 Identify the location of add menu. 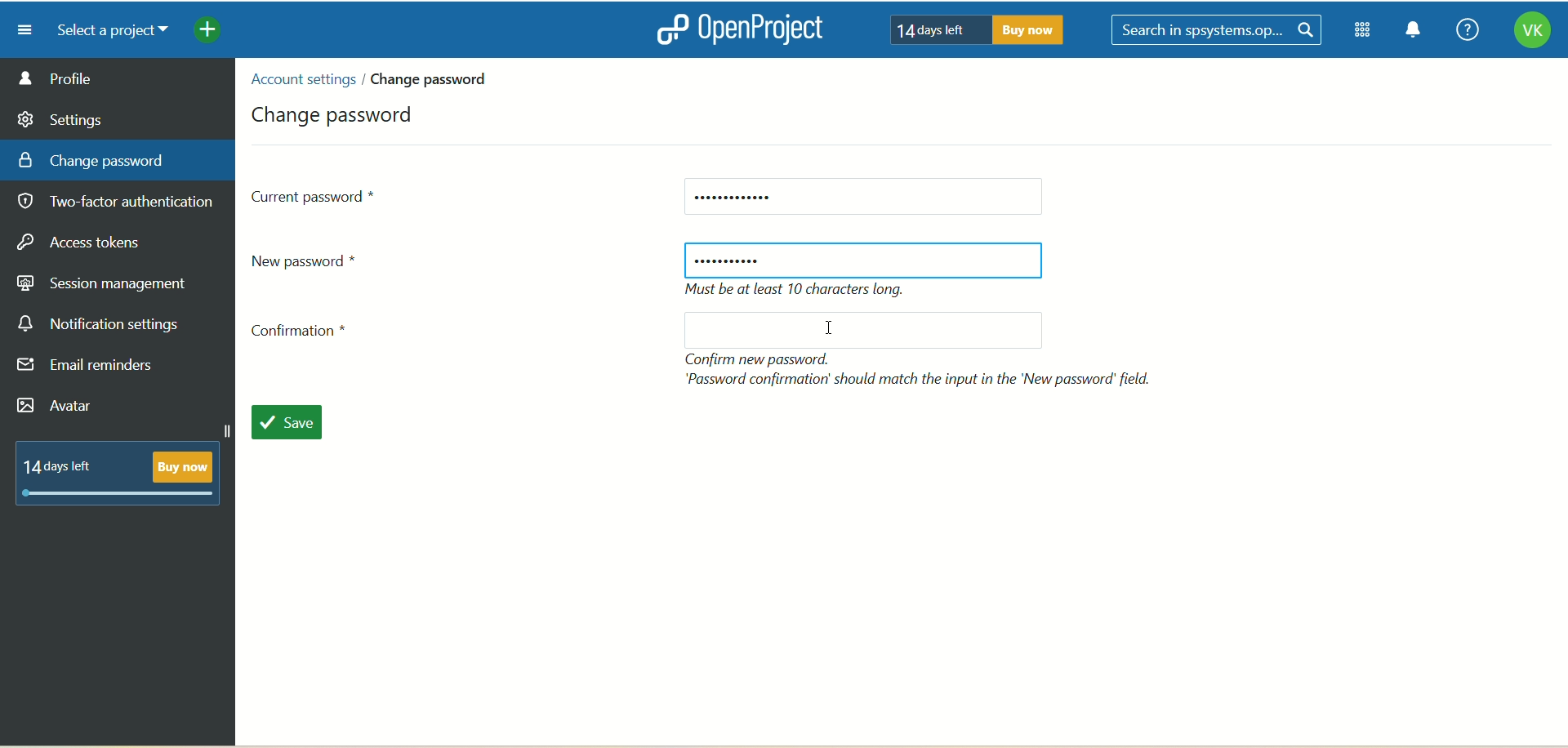
(209, 32).